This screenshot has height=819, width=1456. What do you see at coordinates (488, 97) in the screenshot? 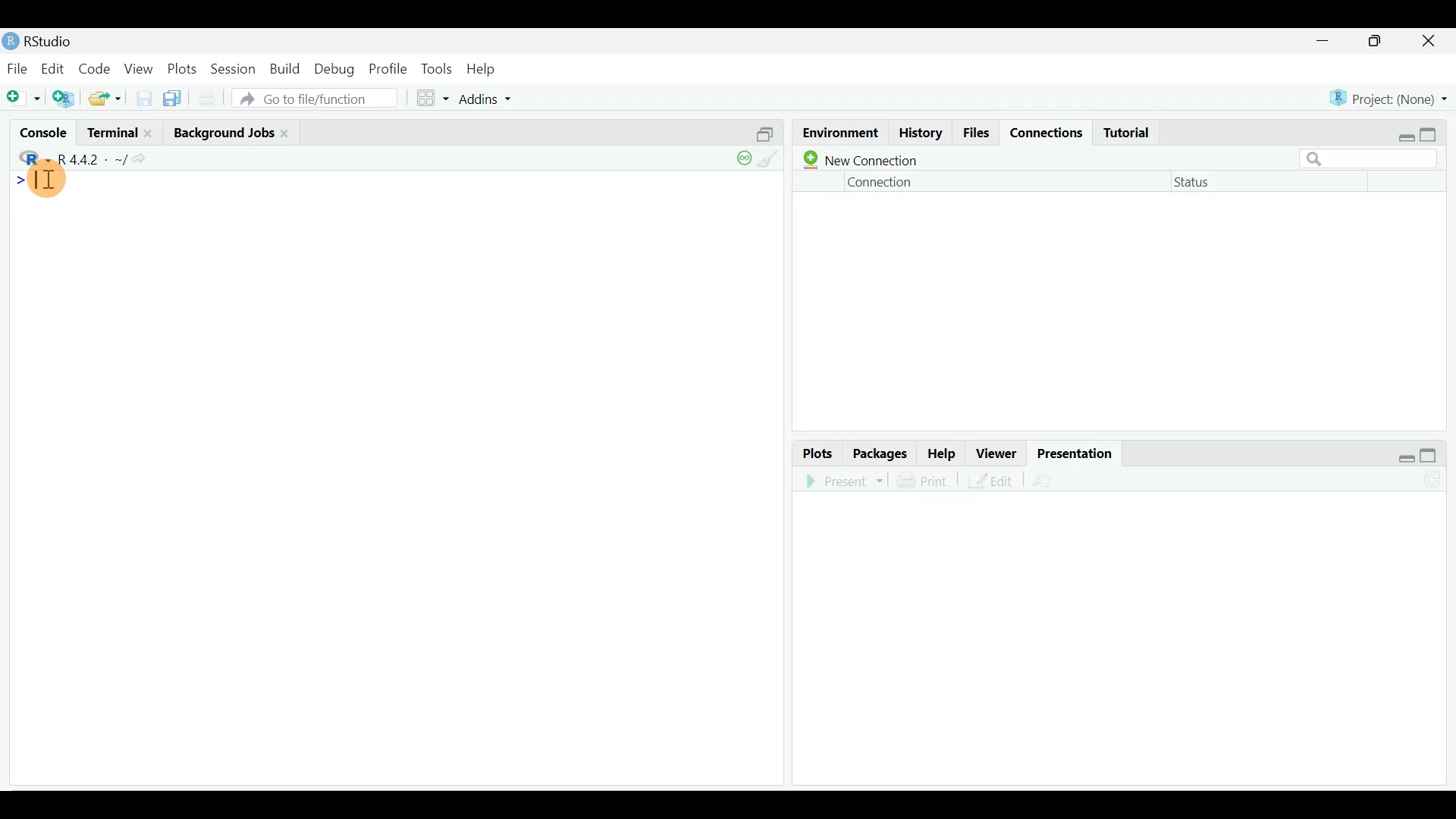
I see `Addins` at bounding box center [488, 97].